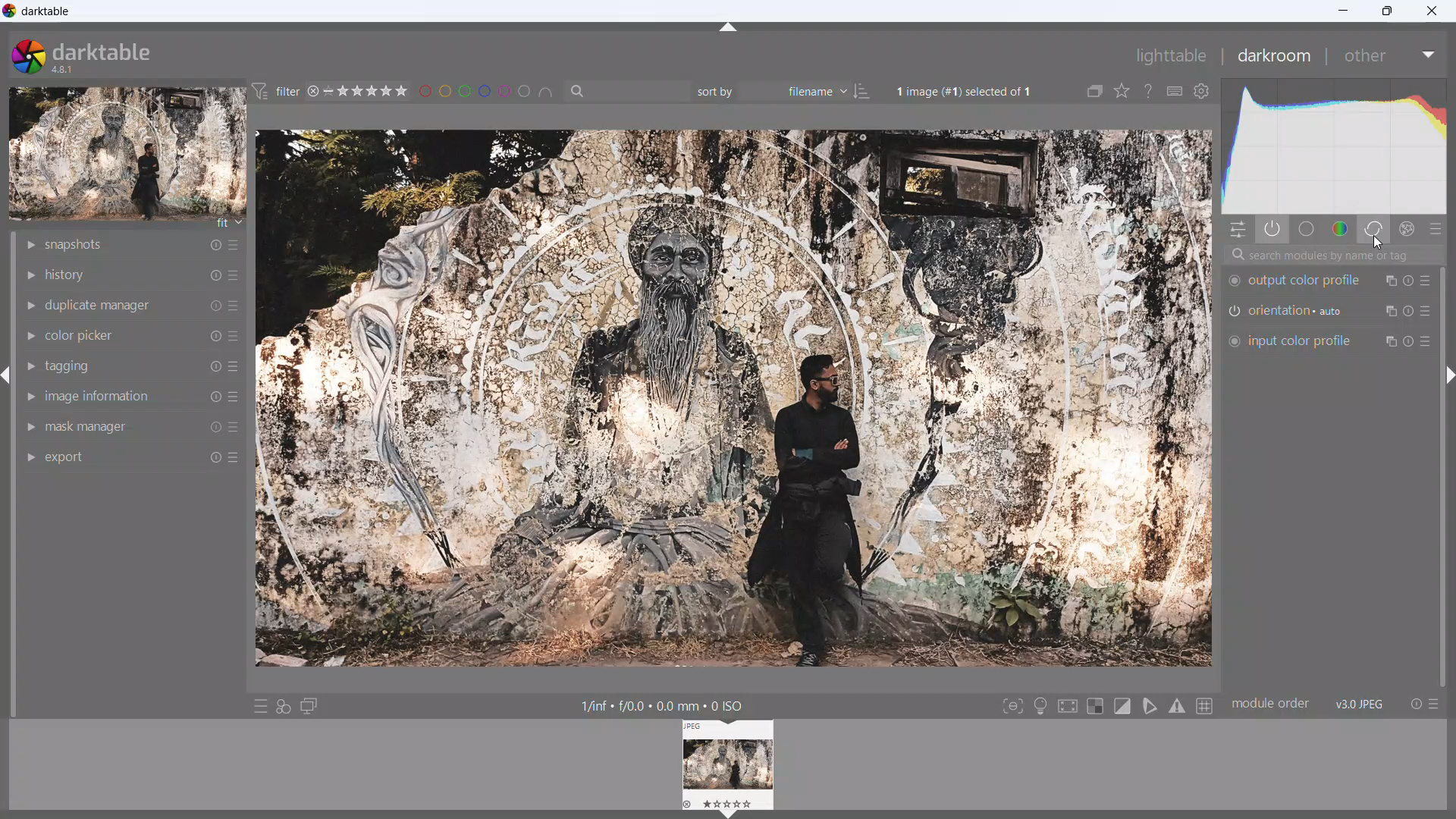 Image resolution: width=1456 pixels, height=819 pixels. Describe the element at coordinates (1407, 229) in the screenshot. I see `effect` at that location.